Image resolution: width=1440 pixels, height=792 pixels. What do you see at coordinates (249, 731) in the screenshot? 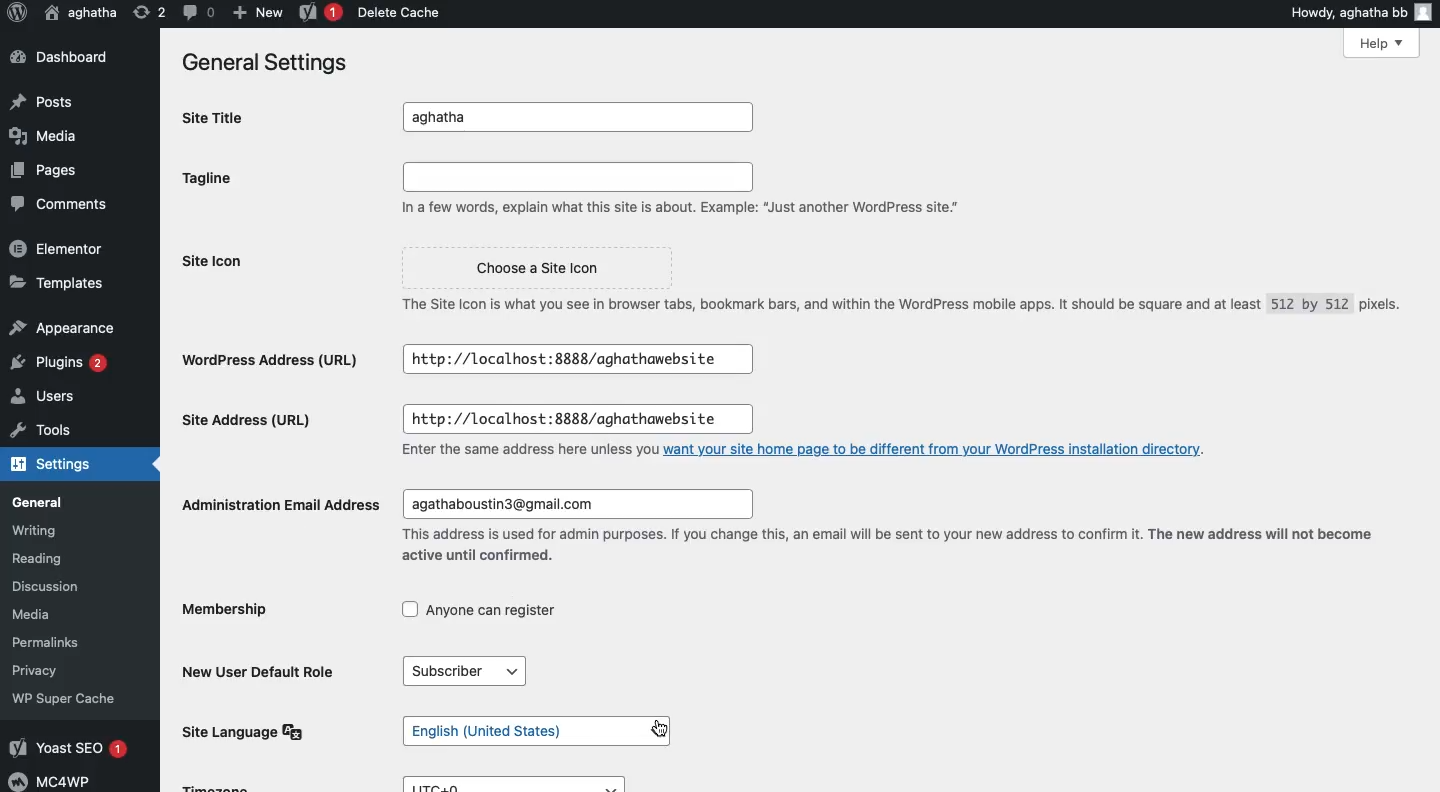
I see `Site language` at bounding box center [249, 731].